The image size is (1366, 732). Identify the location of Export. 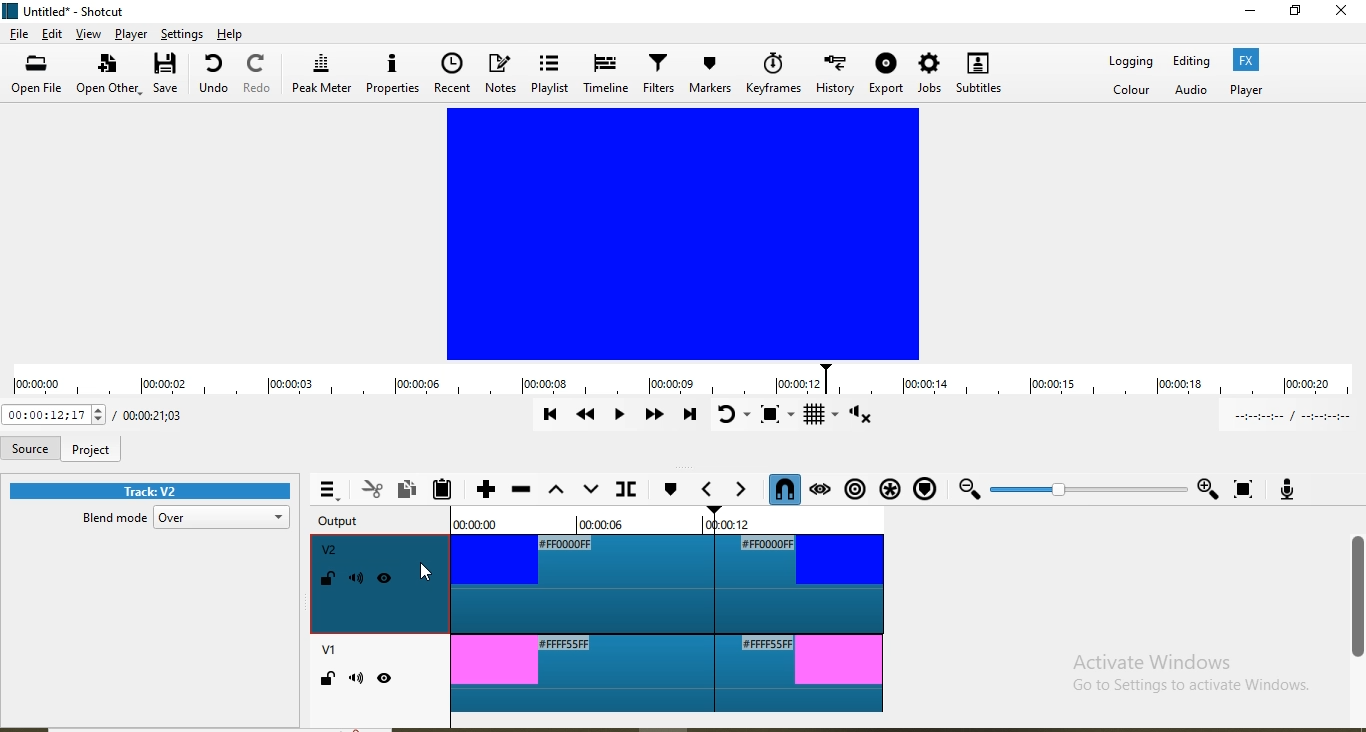
(886, 77).